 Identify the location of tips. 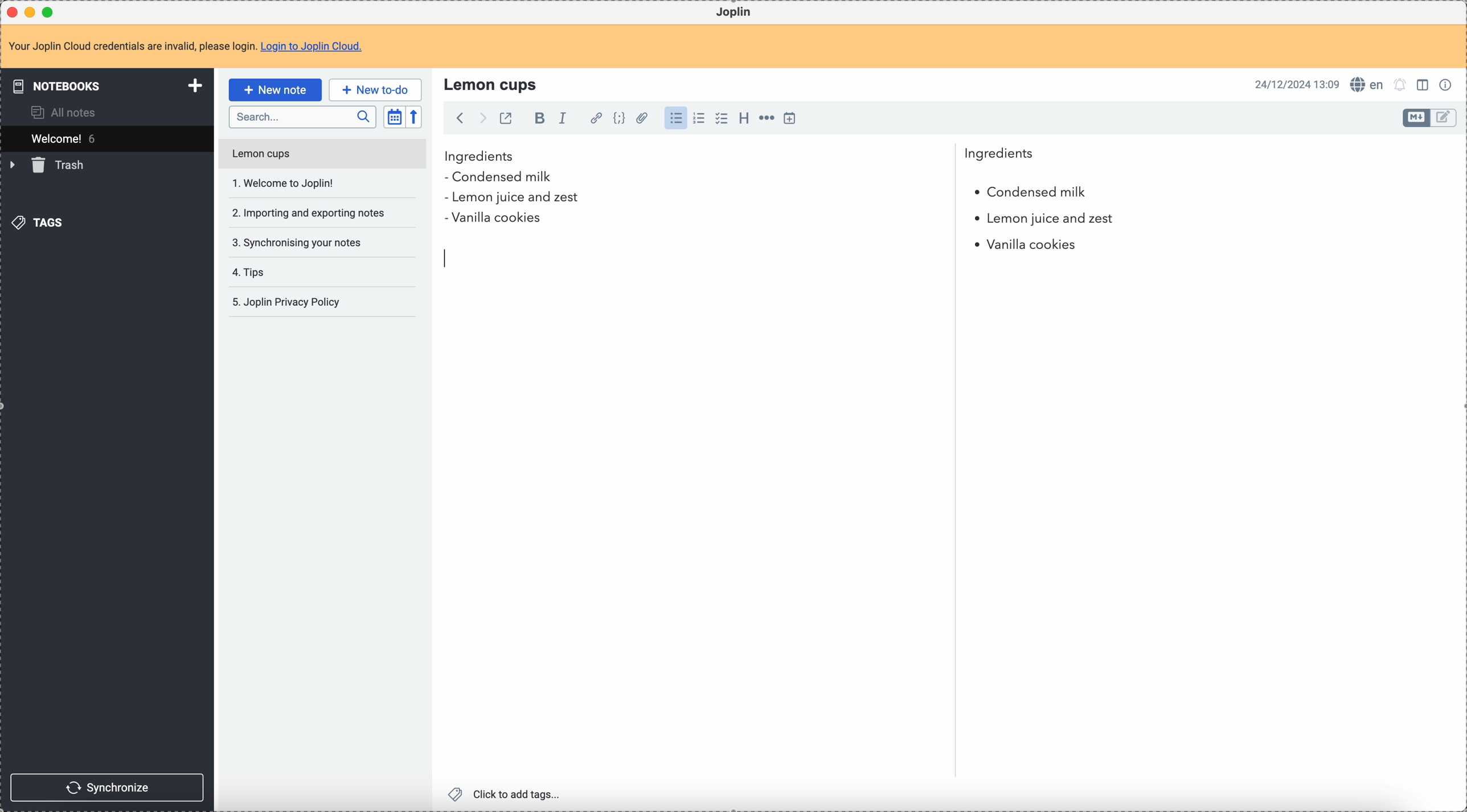
(251, 273).